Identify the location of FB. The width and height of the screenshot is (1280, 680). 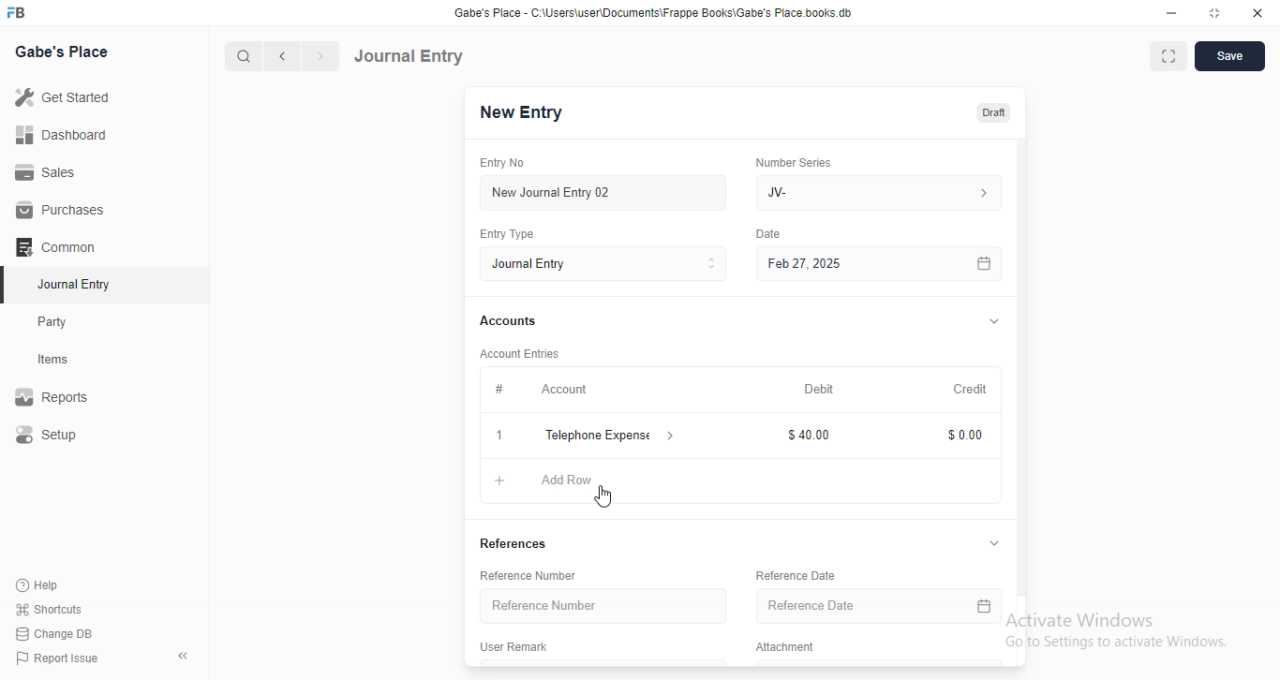
(19, 11).